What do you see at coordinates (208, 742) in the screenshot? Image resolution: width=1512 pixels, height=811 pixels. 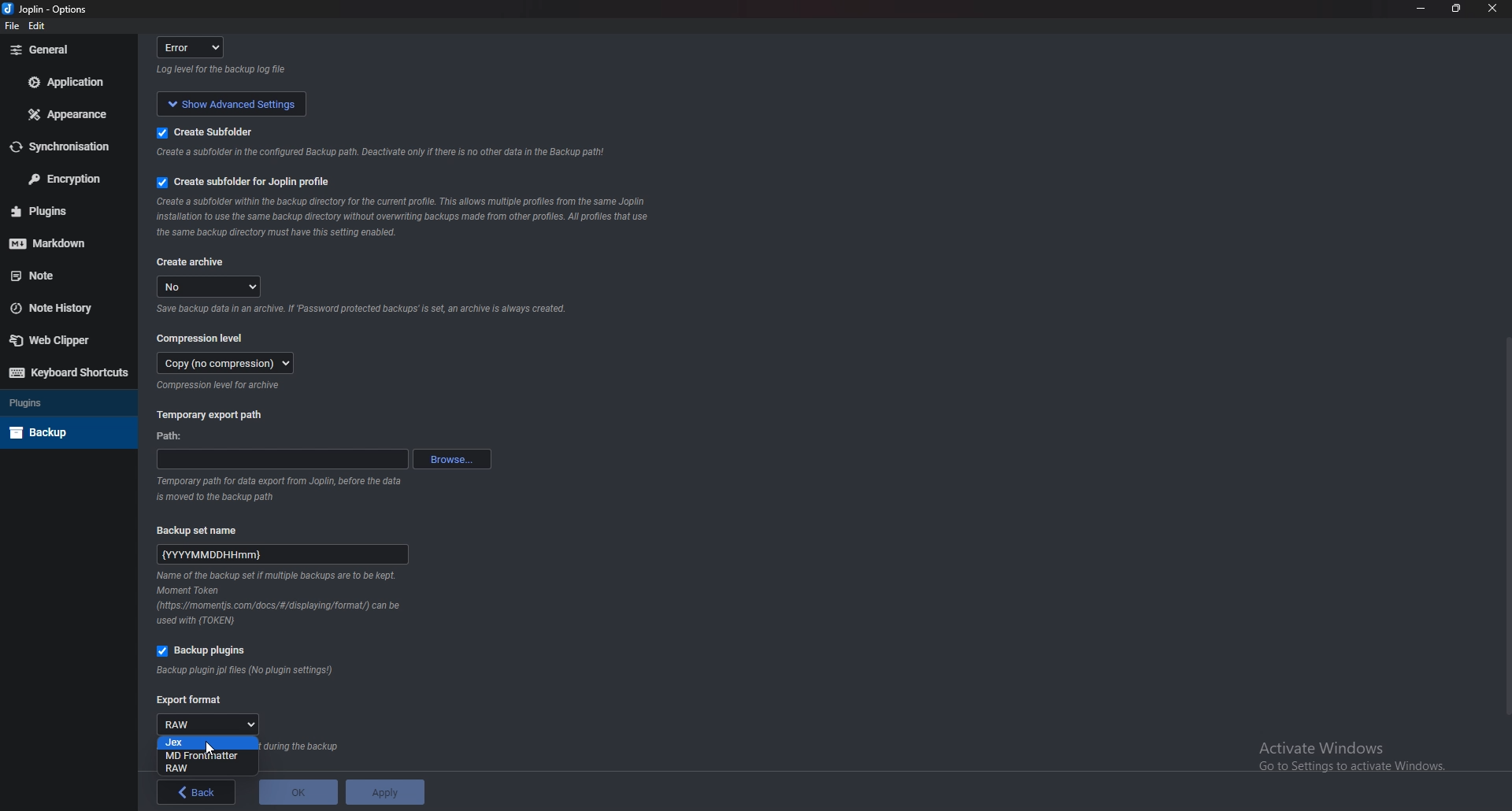 I see `jex` at bounding box center [208, 742].